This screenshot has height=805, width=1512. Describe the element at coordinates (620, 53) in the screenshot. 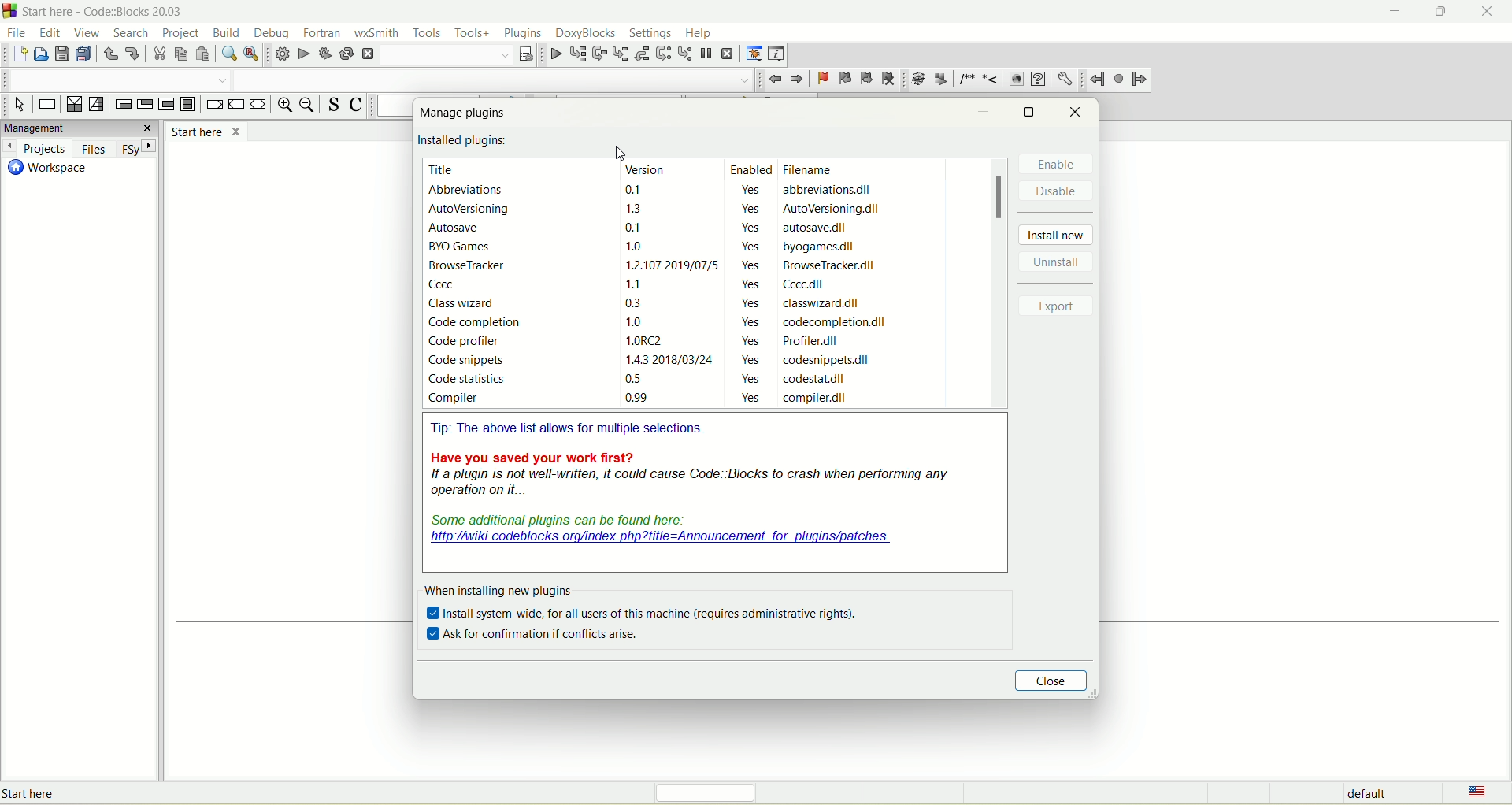

I see `step into` at that location.